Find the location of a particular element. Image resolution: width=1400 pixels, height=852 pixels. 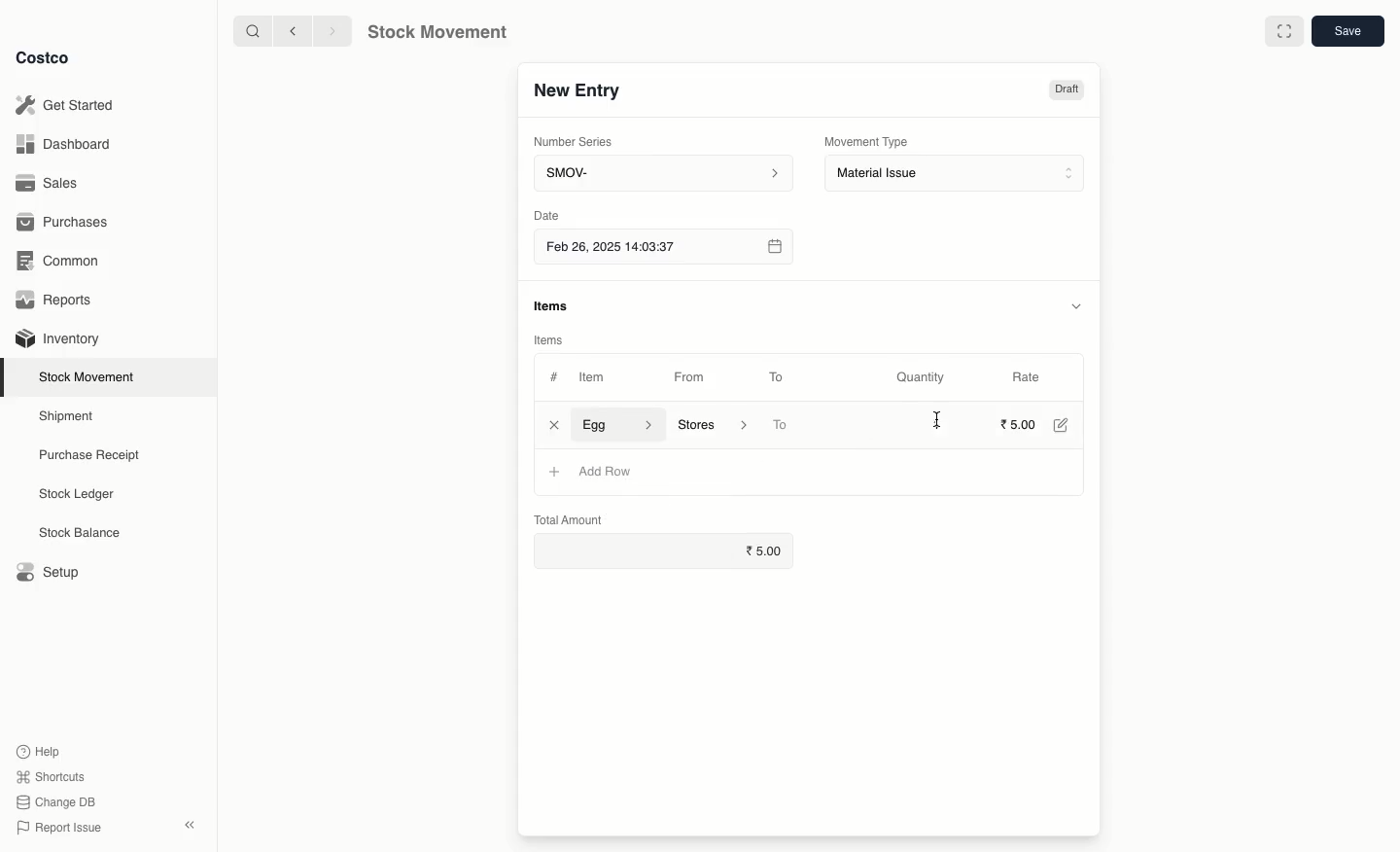

Close is located at coordinates (552, 426).